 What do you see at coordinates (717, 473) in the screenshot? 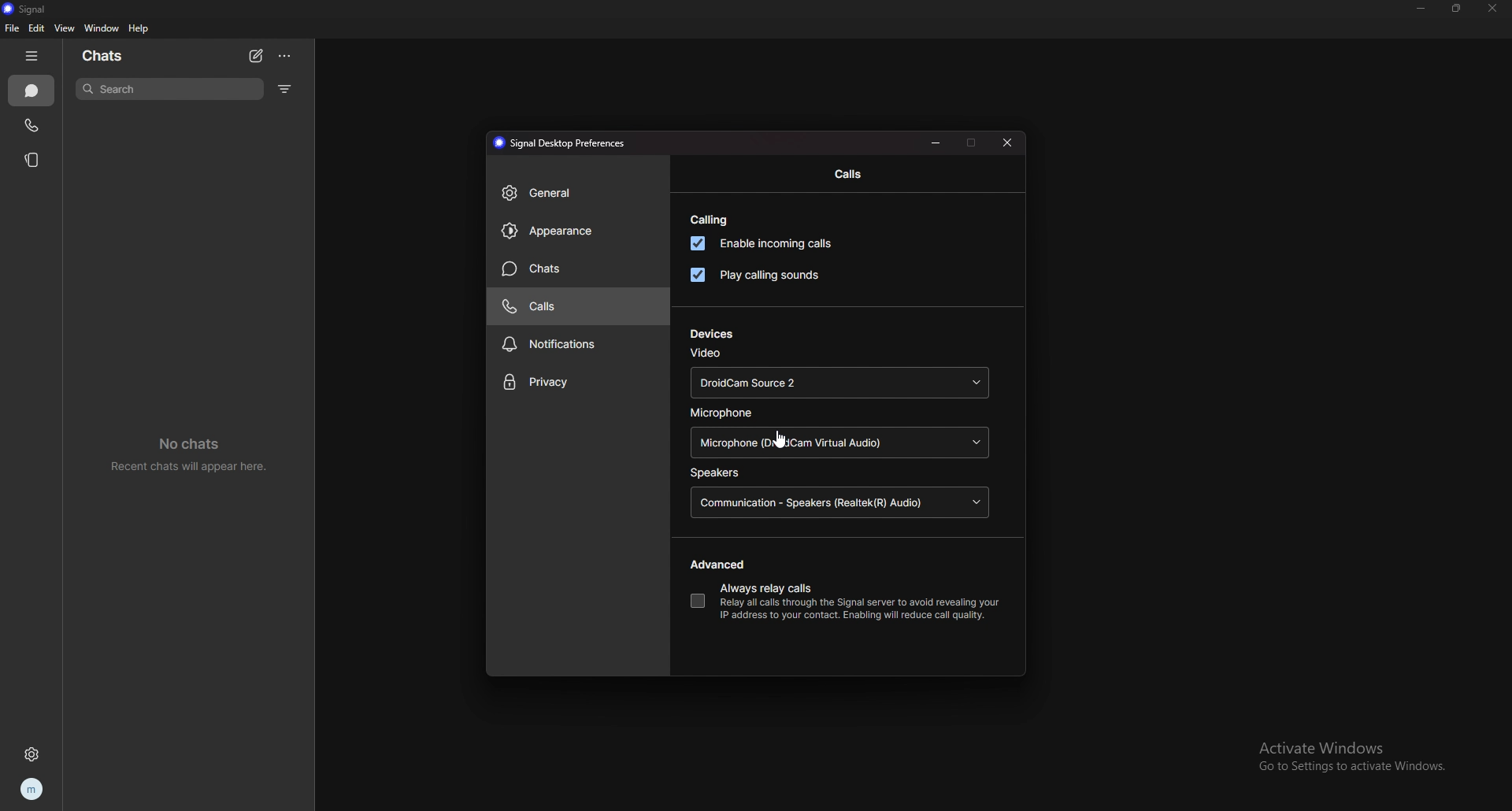
I see `speakers` at bounding box center [717, 473].